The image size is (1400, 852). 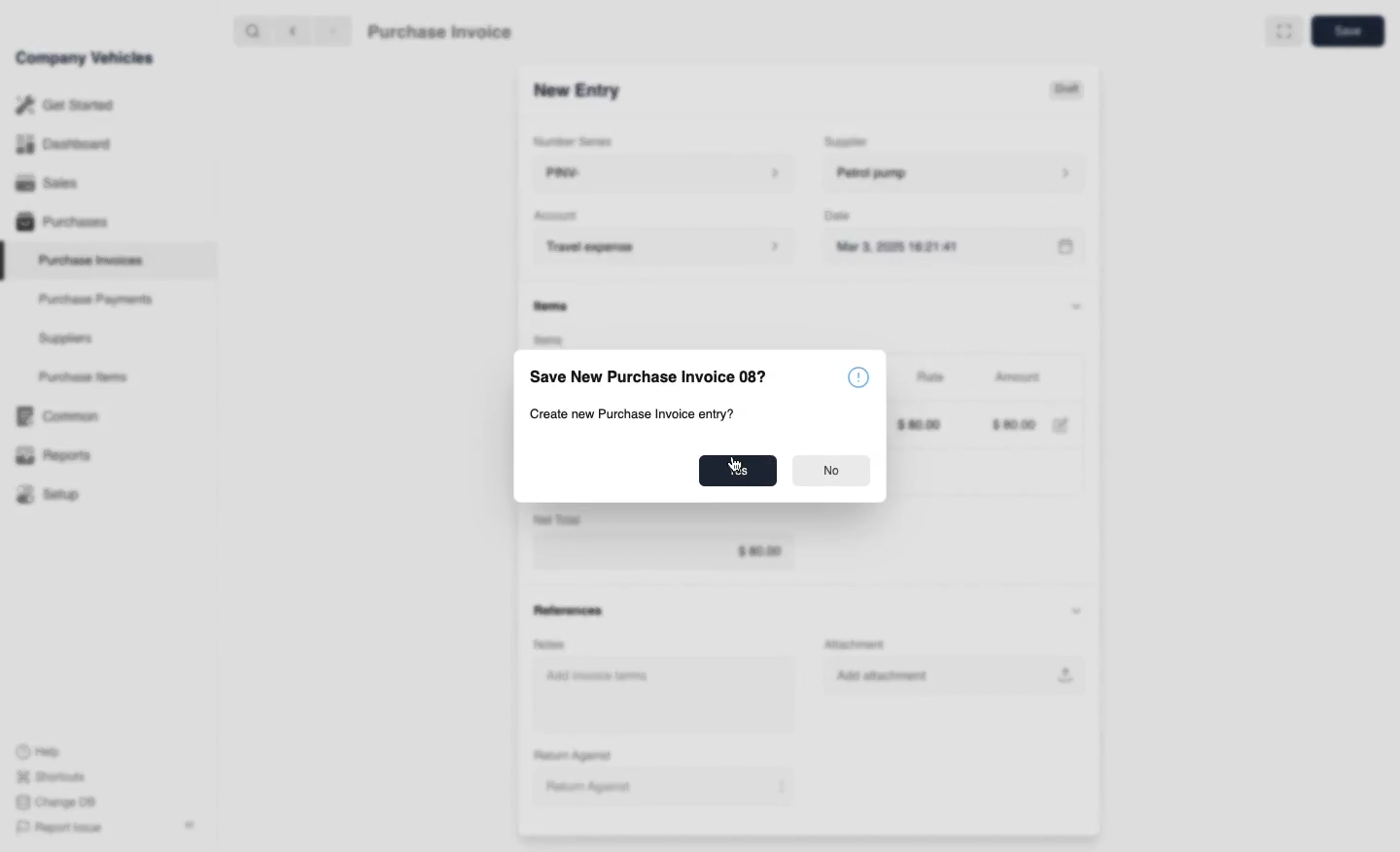 What do you see at coordinates (832, 473) in the screenshot?
I see `No` at bounding box center [832, 473].